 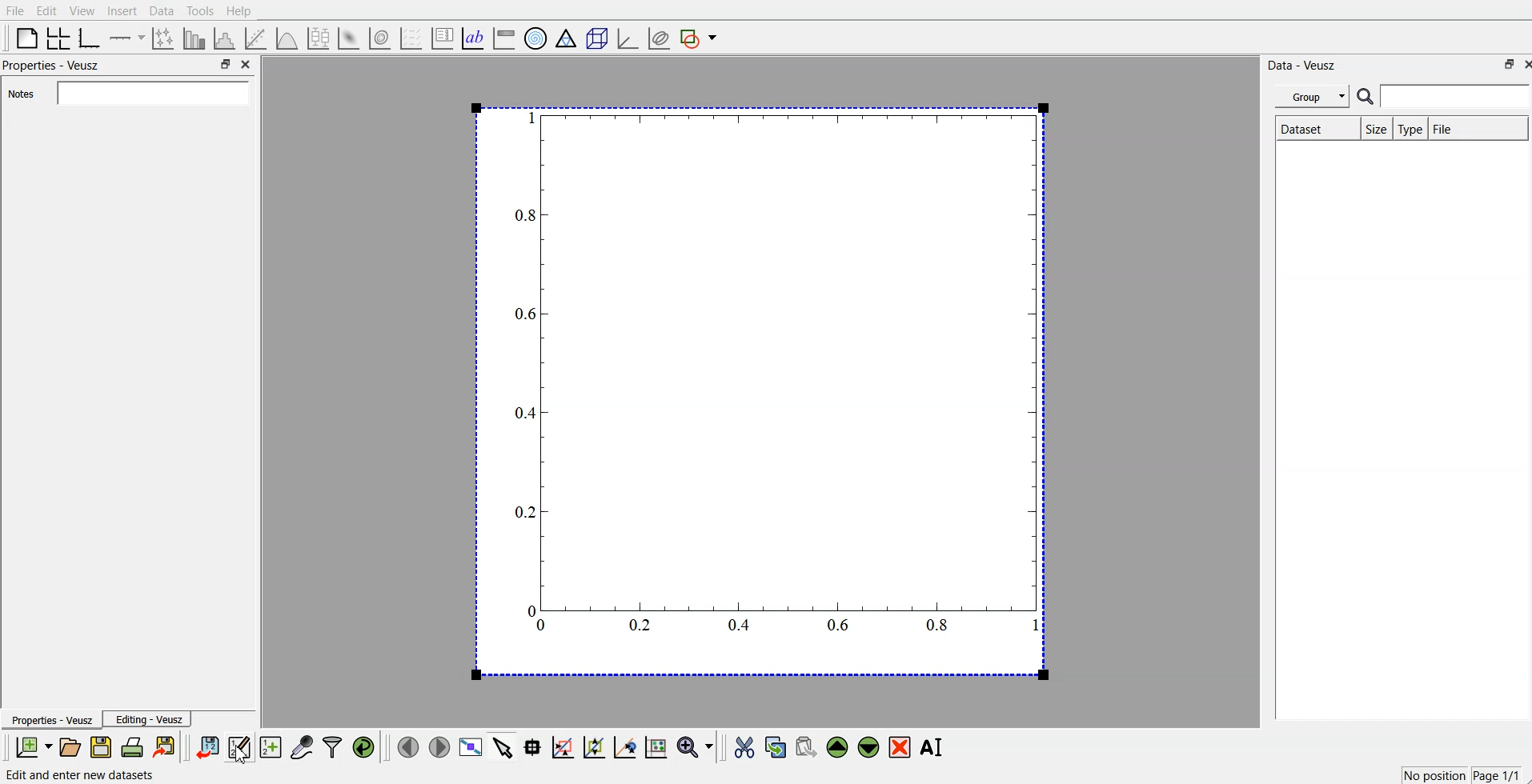 What do you see at coordinates (24, 38) in the screenshot?
I see `blank page` at bounding box center [24, 38].